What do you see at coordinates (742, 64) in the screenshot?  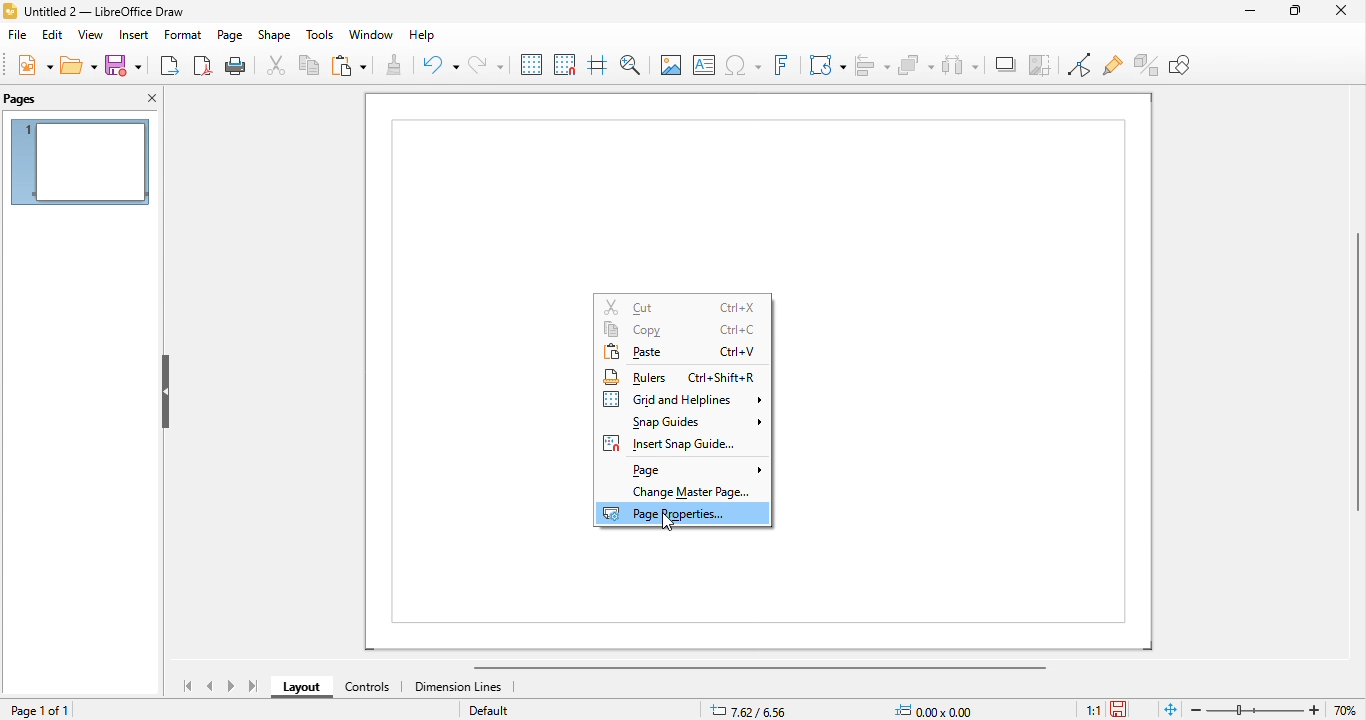 I see `special characters` at bounding box center [742, 64].